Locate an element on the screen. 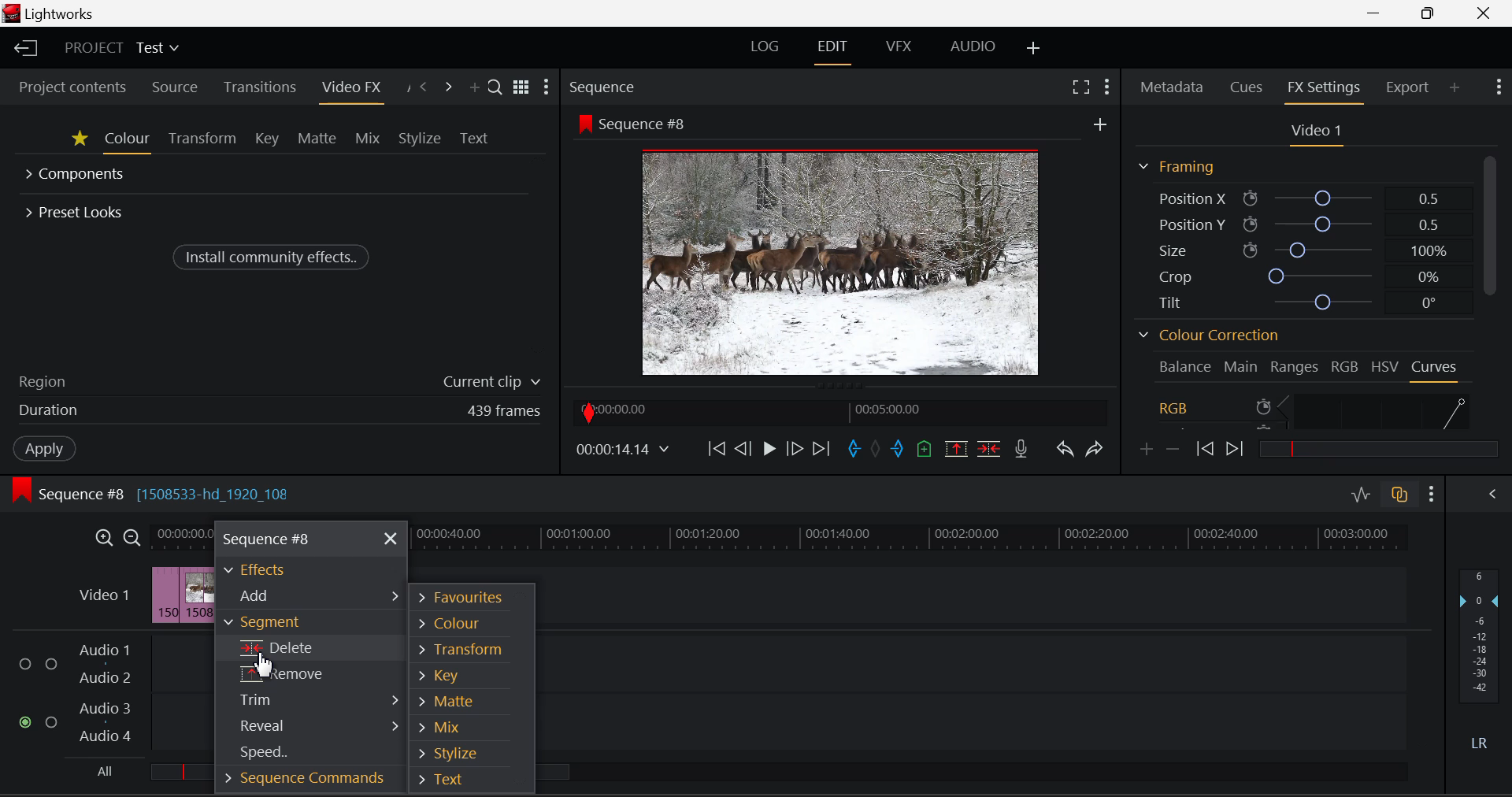 This screenshot has width=1512, height=797. Apply is located at coordinates (43, 449).